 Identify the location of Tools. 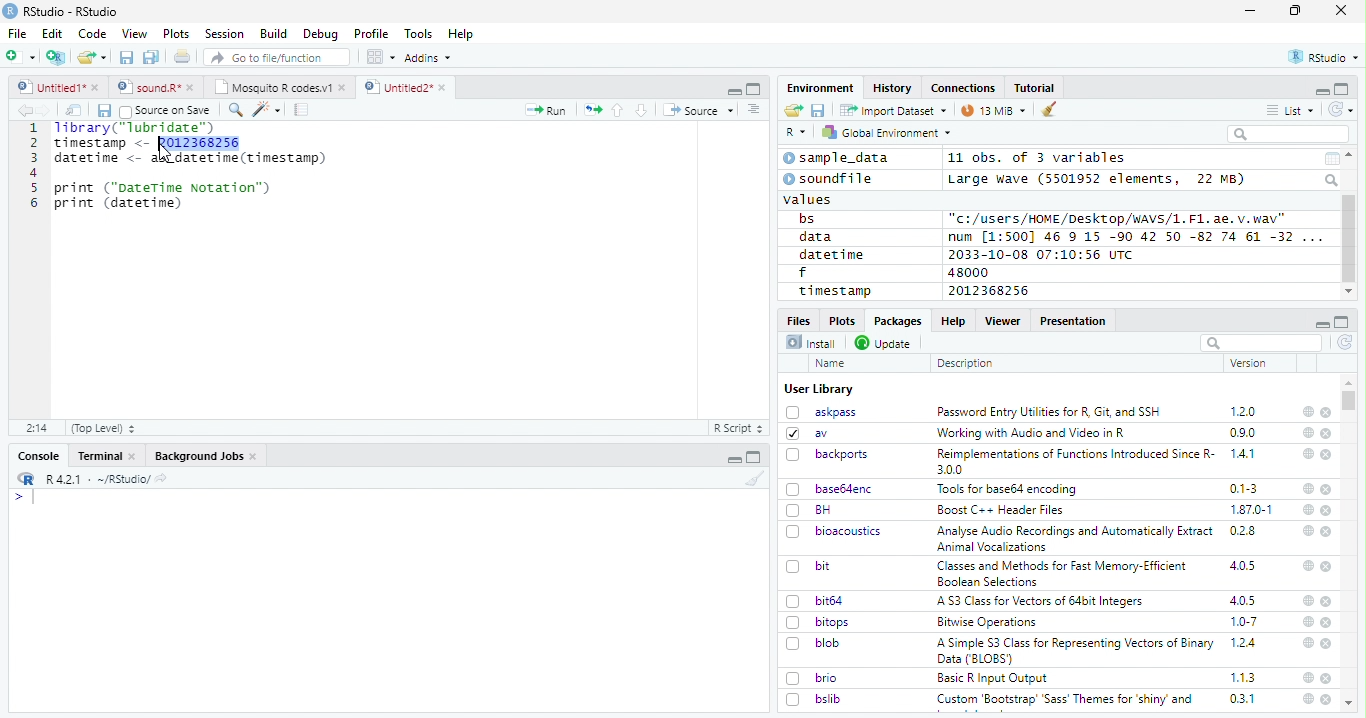
(417, 34).